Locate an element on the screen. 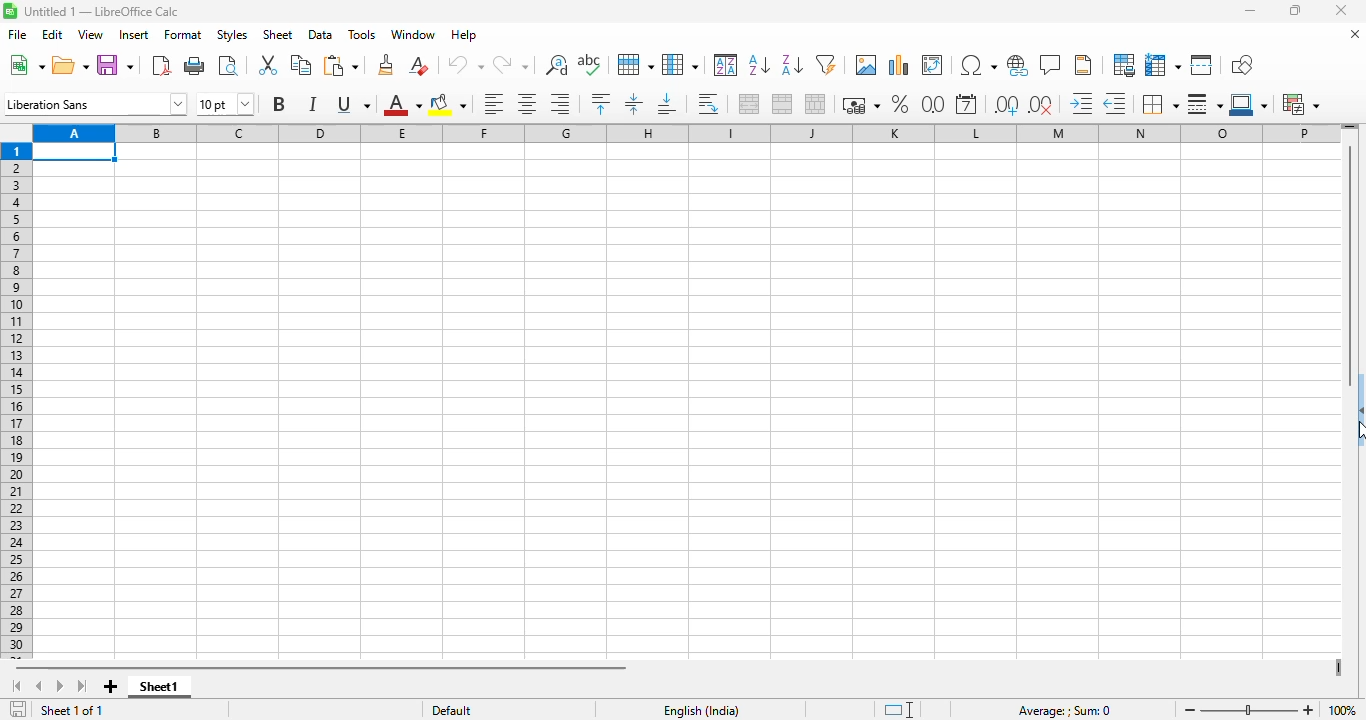 The width and height of the screenshot is (1366, 720). new is located at coordinates (25, 65).